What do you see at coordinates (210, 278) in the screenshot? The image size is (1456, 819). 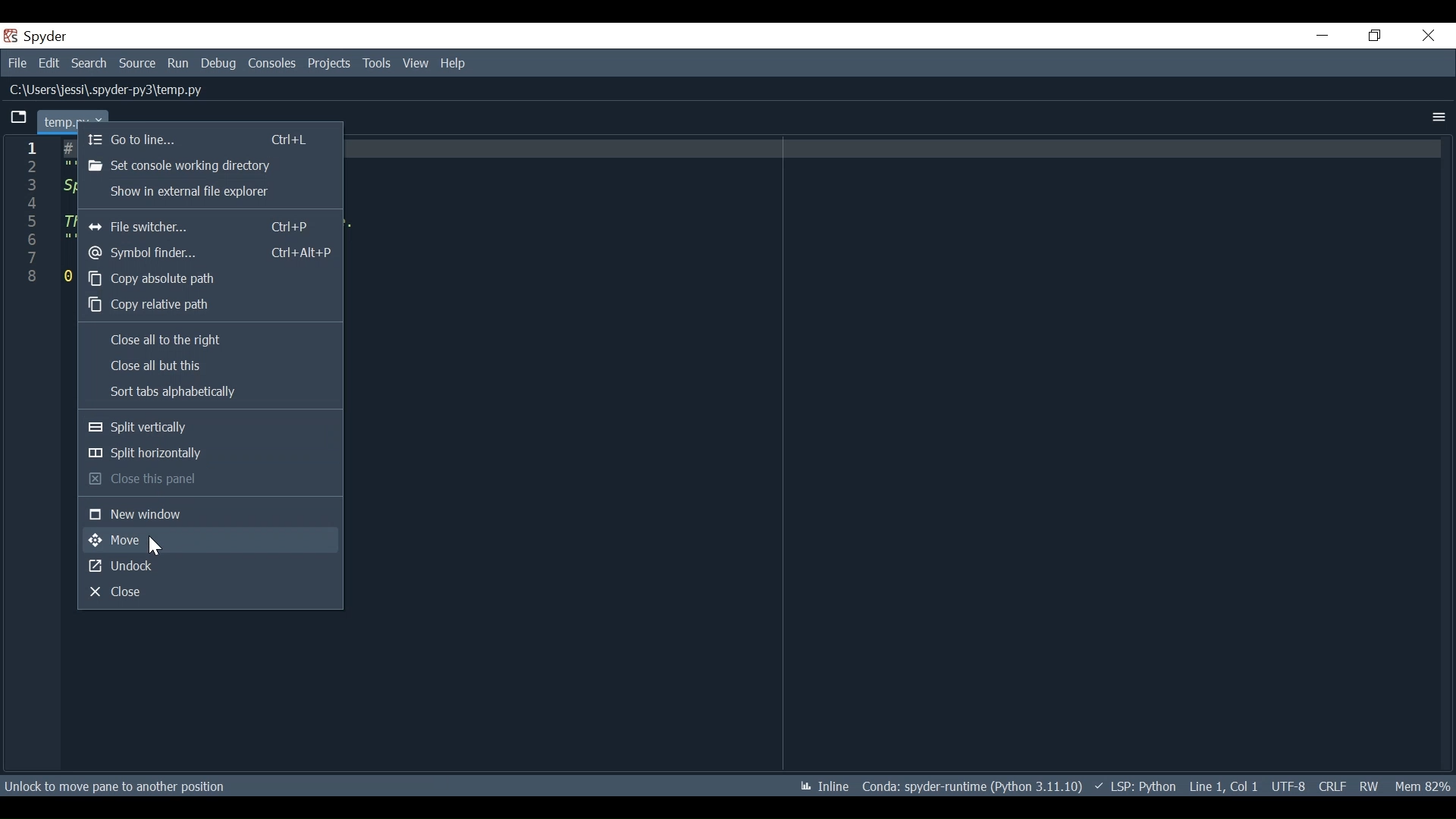 I see `Copy absolute path` at bounding box center [210, 278].